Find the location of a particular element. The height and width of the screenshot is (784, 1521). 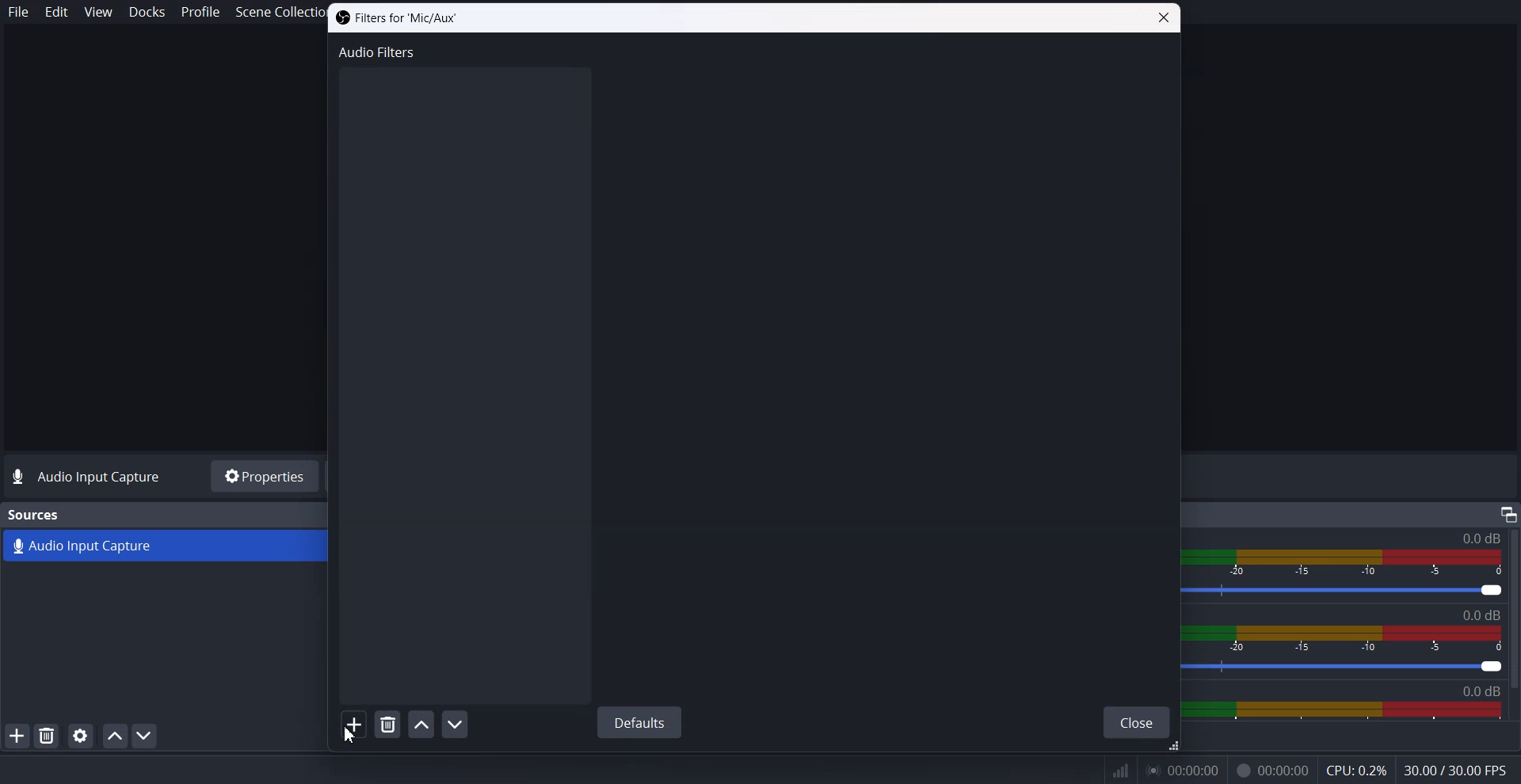

Audio Input capture is located at coordinates (1480, 539).